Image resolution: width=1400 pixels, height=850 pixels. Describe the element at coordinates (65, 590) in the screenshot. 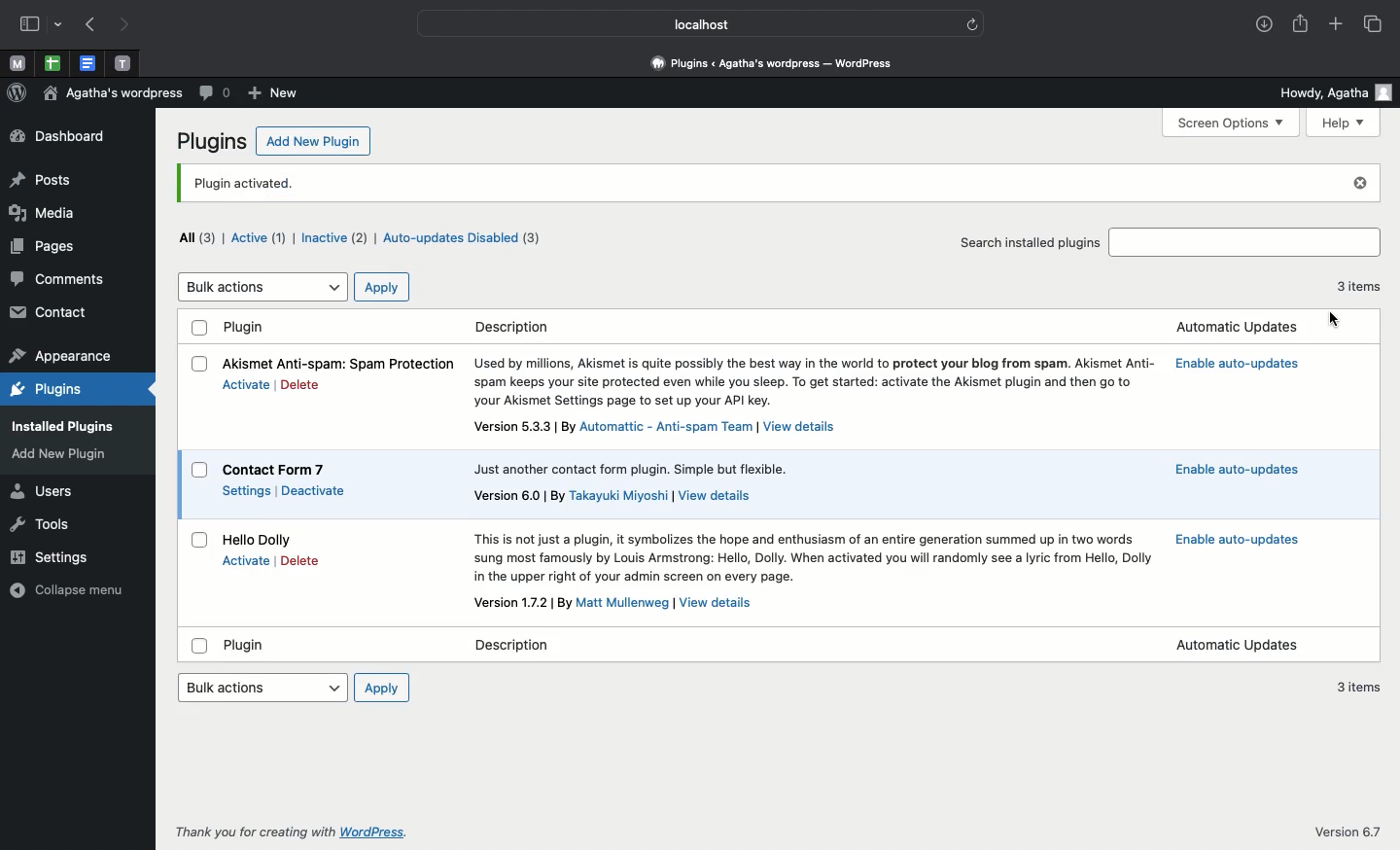

I see `collapse menu` at that location.